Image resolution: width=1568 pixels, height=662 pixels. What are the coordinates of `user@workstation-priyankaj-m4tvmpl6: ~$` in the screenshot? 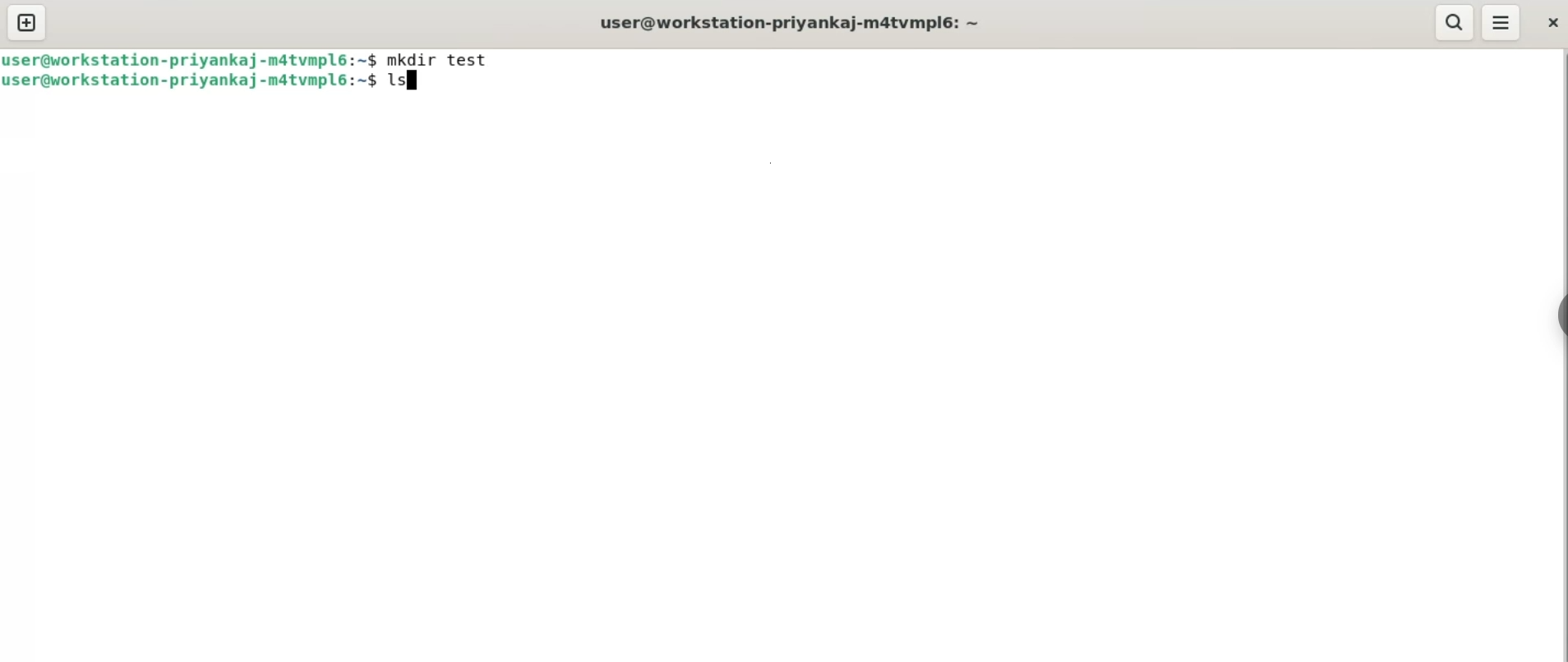 It's located at (191, 59).